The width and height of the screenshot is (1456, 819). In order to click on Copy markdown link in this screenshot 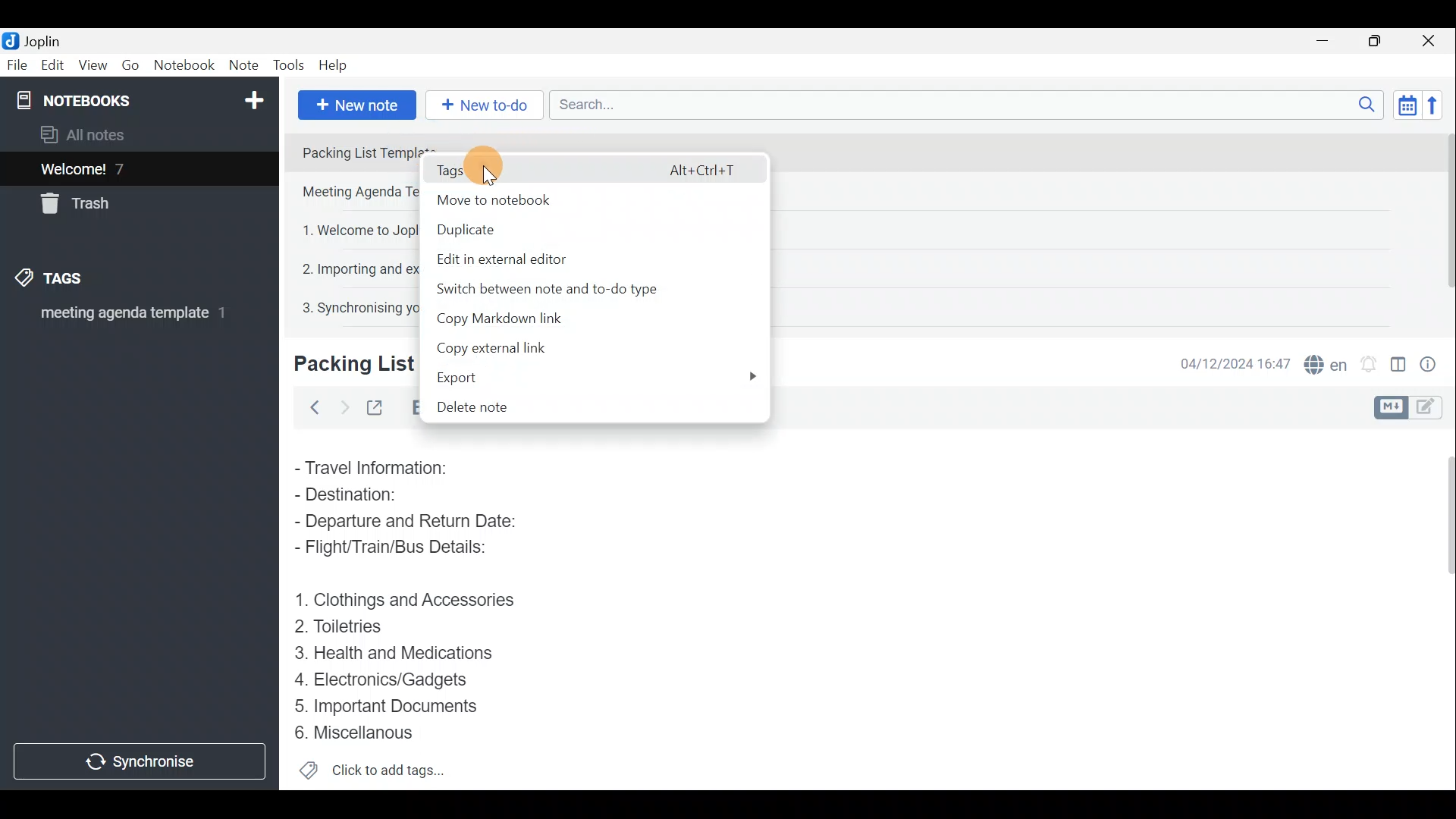, I will do `click(492, 320)`.